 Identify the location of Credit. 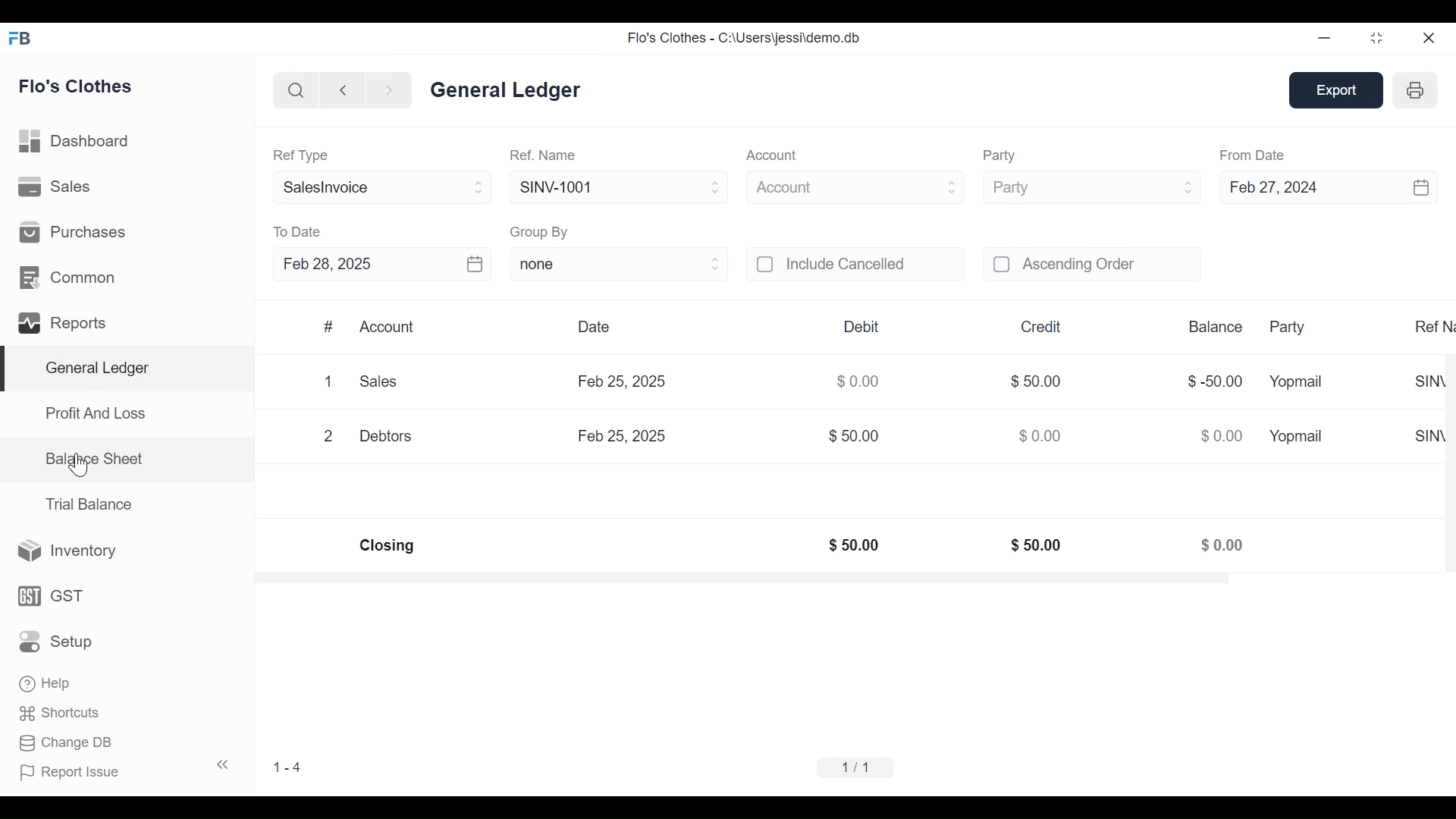
(1042, 328).